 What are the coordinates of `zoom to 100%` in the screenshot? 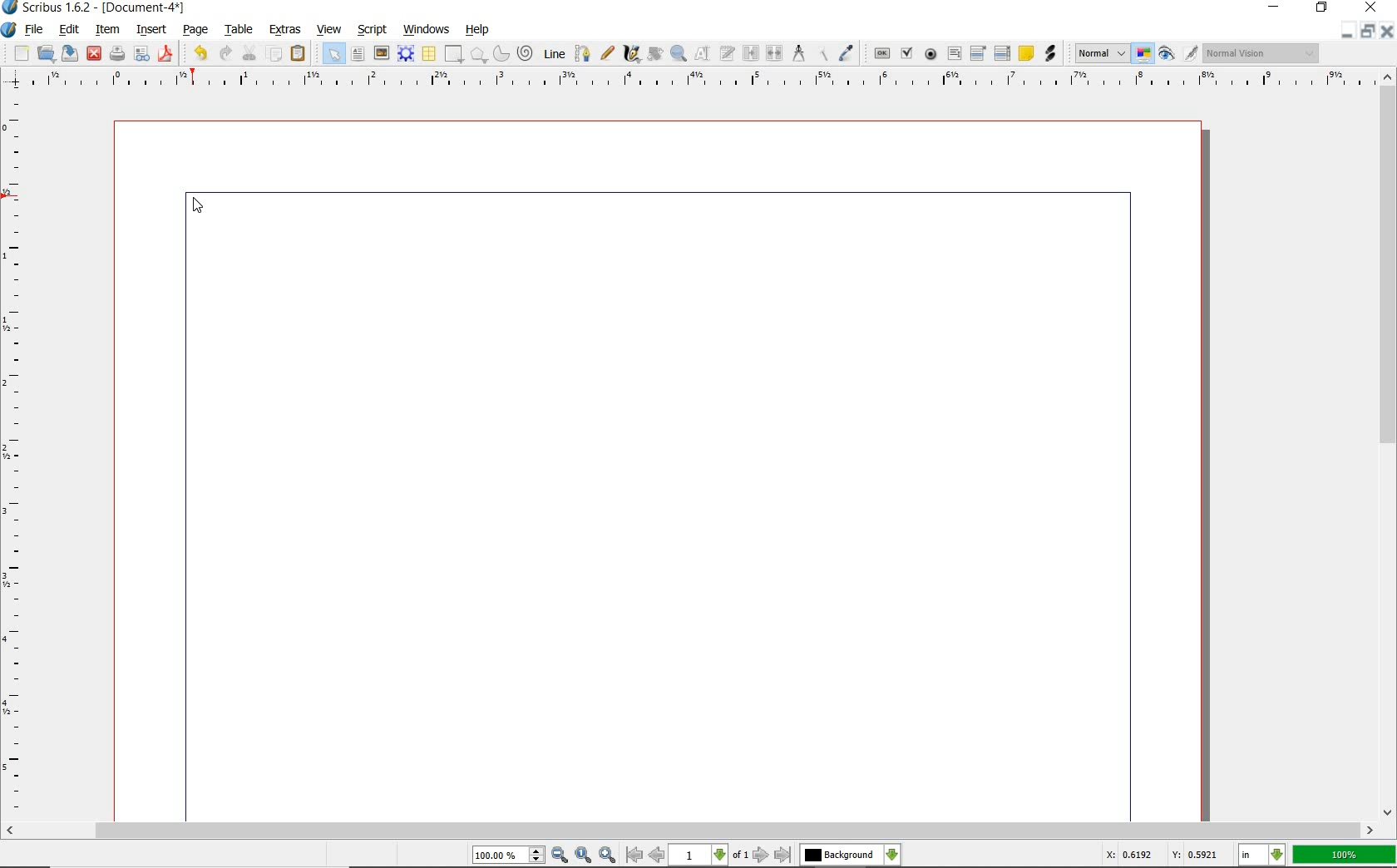 It's located at (585, 855).